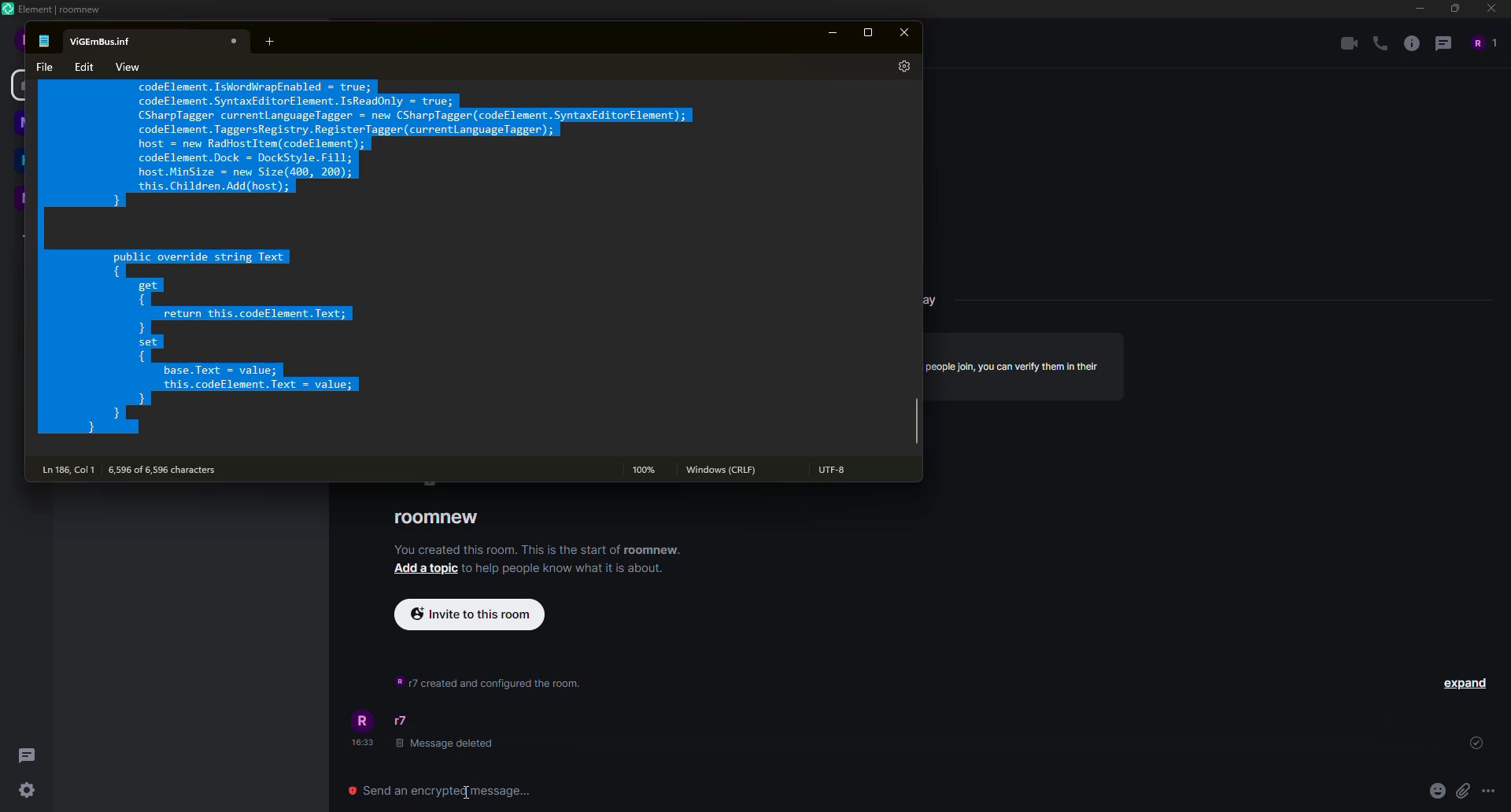 The image size is (1511, 812). What do you see at coordinates (1410, 43) in the screenshot?
I see `info` at bounding box center [1410, 43].